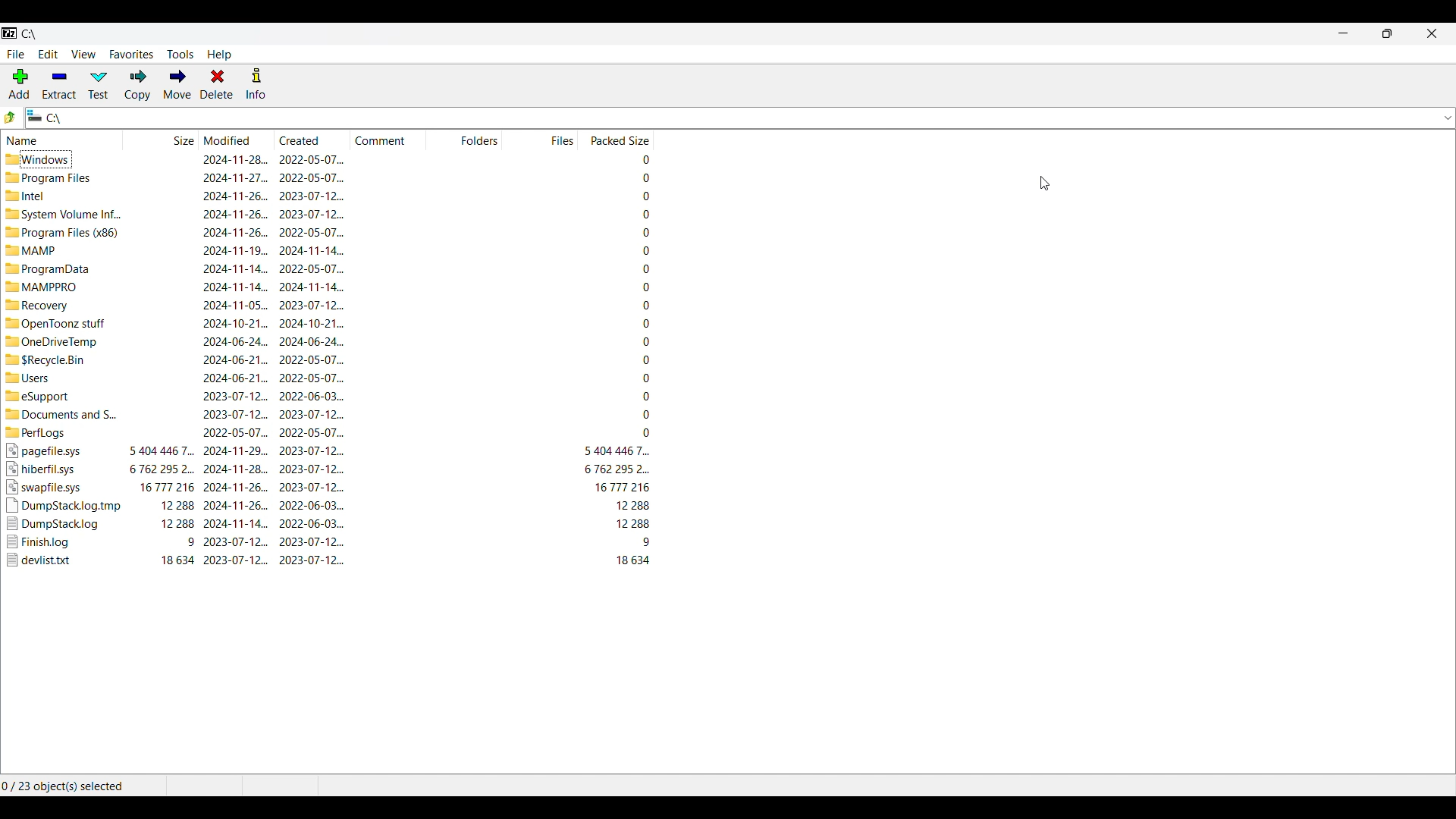 This screenshot has width=1456, height=819. I want to click on Folder, so click(56, 342).